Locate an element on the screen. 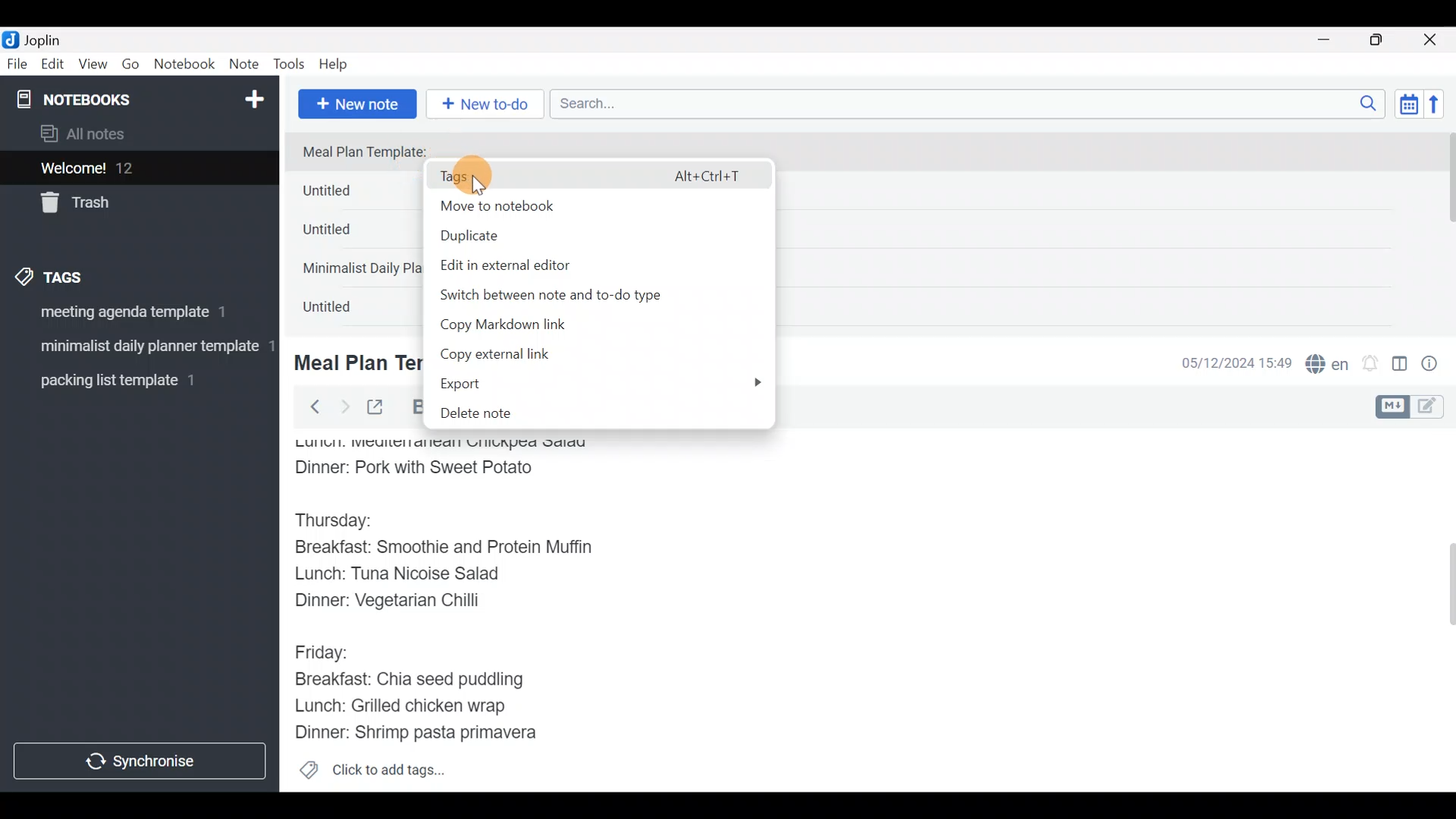 This screenshot has height=819, width=1456. Synchronize is located at coordinates (142, 761).